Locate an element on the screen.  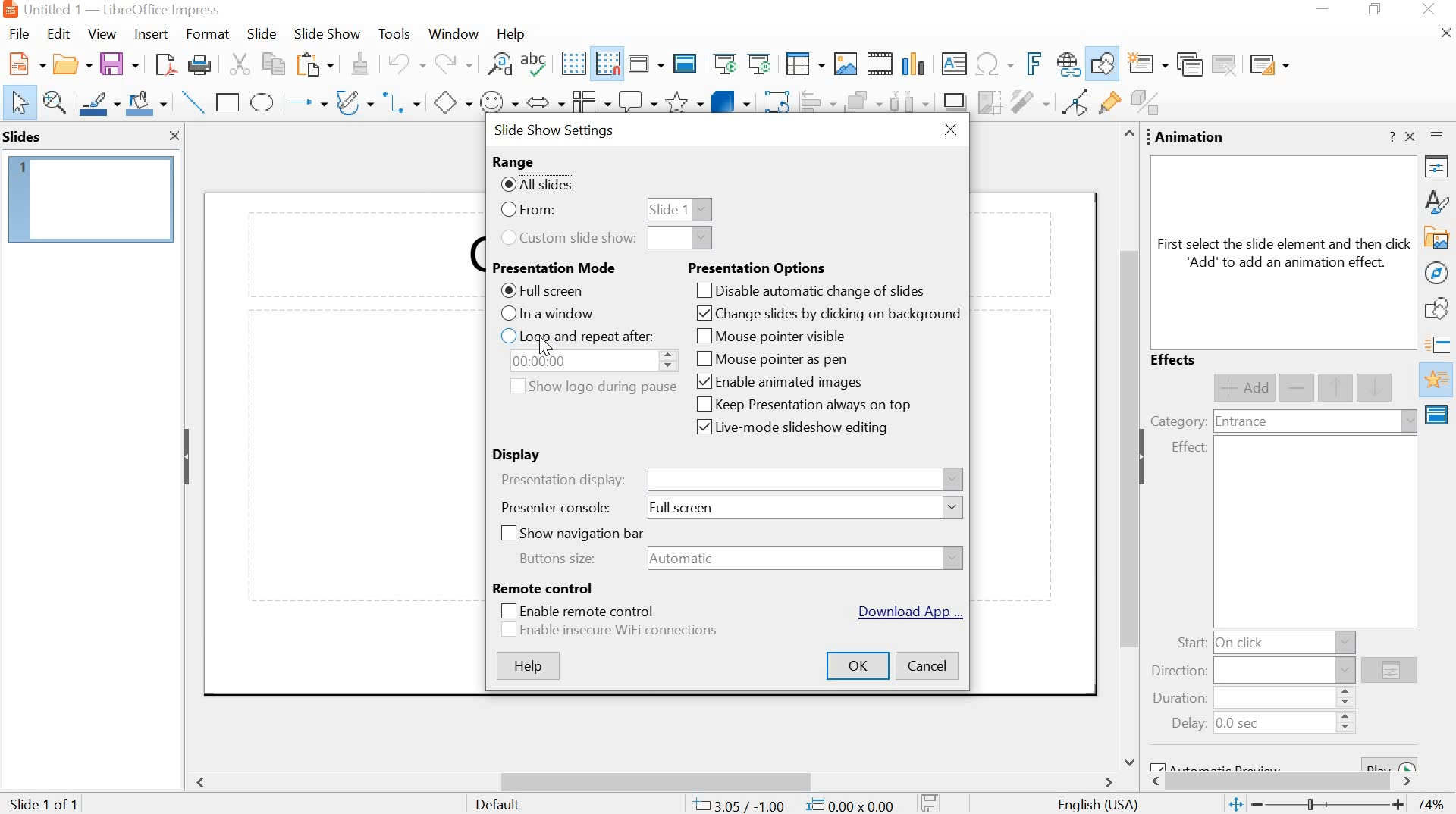
display grid is located at coordinates (573, 64).